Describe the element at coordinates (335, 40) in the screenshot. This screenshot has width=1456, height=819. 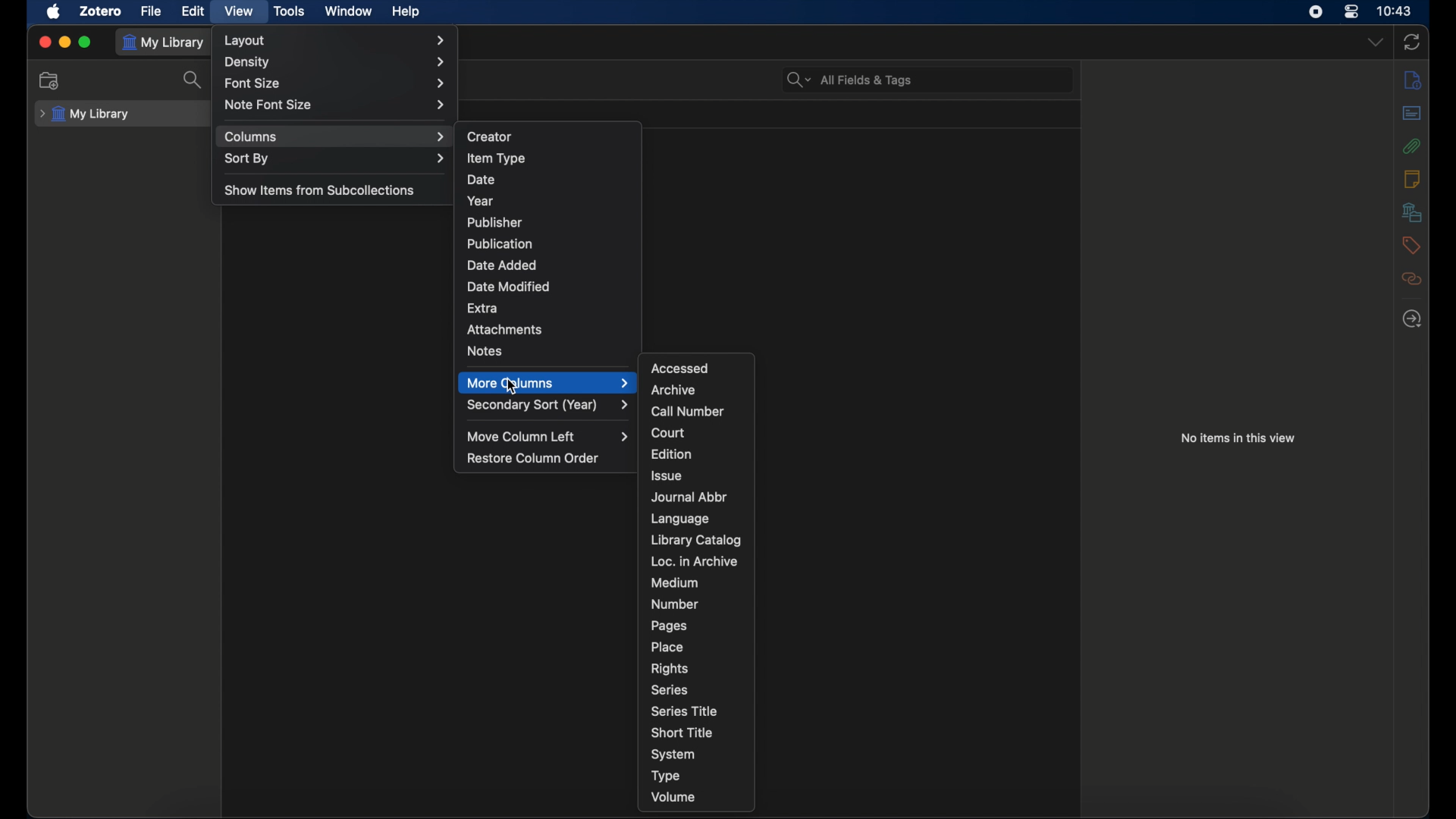
I see `layout` at that location.